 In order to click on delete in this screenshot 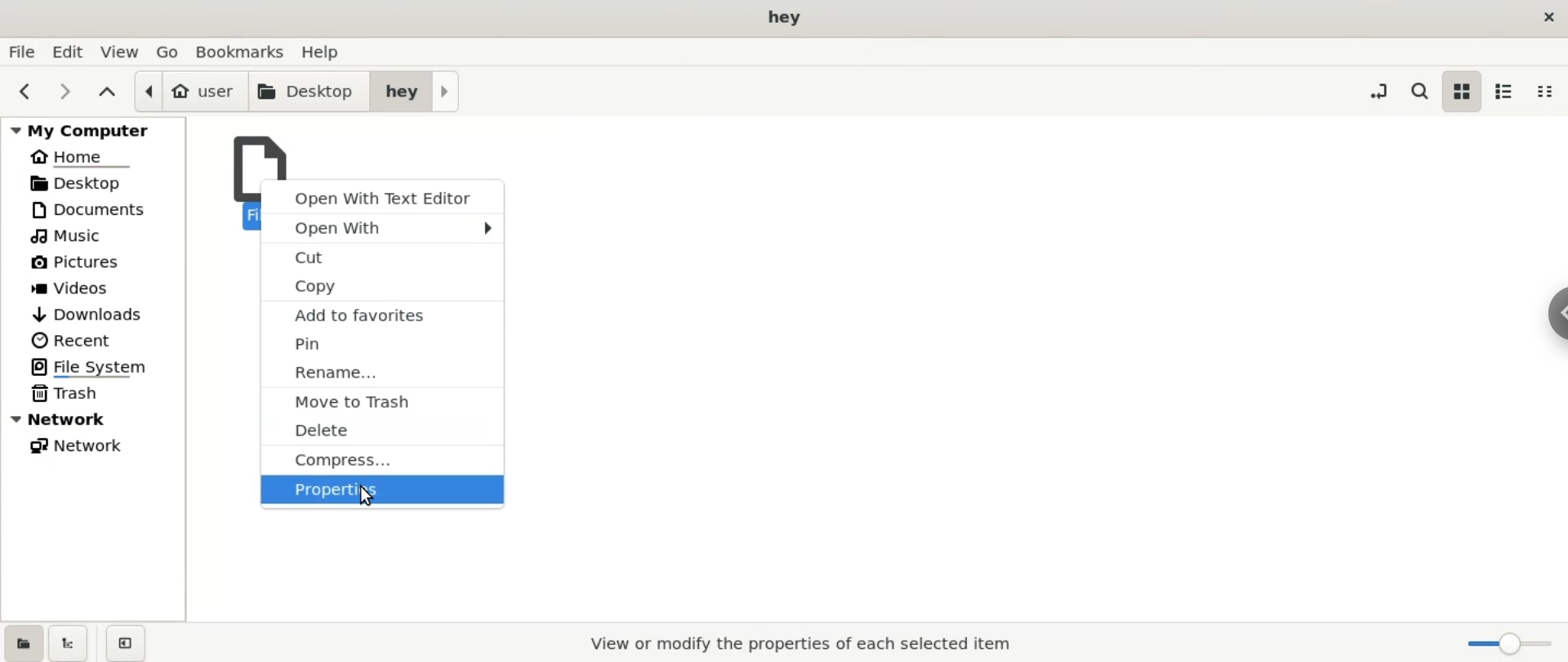, I will do `click(383, 431)`.